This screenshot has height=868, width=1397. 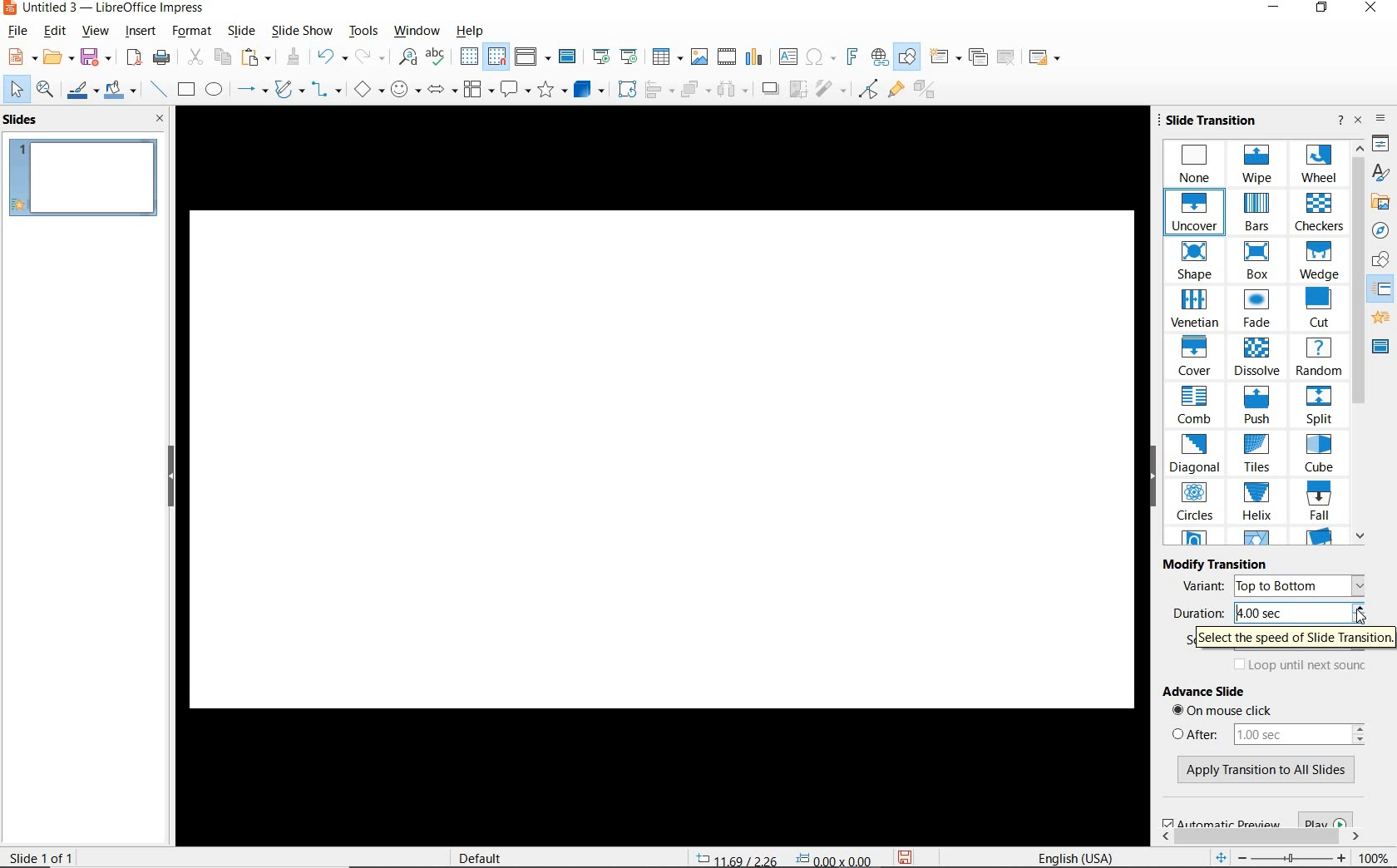 I want to click on DISPLAY VIEWS, so click(x=532, y=56).